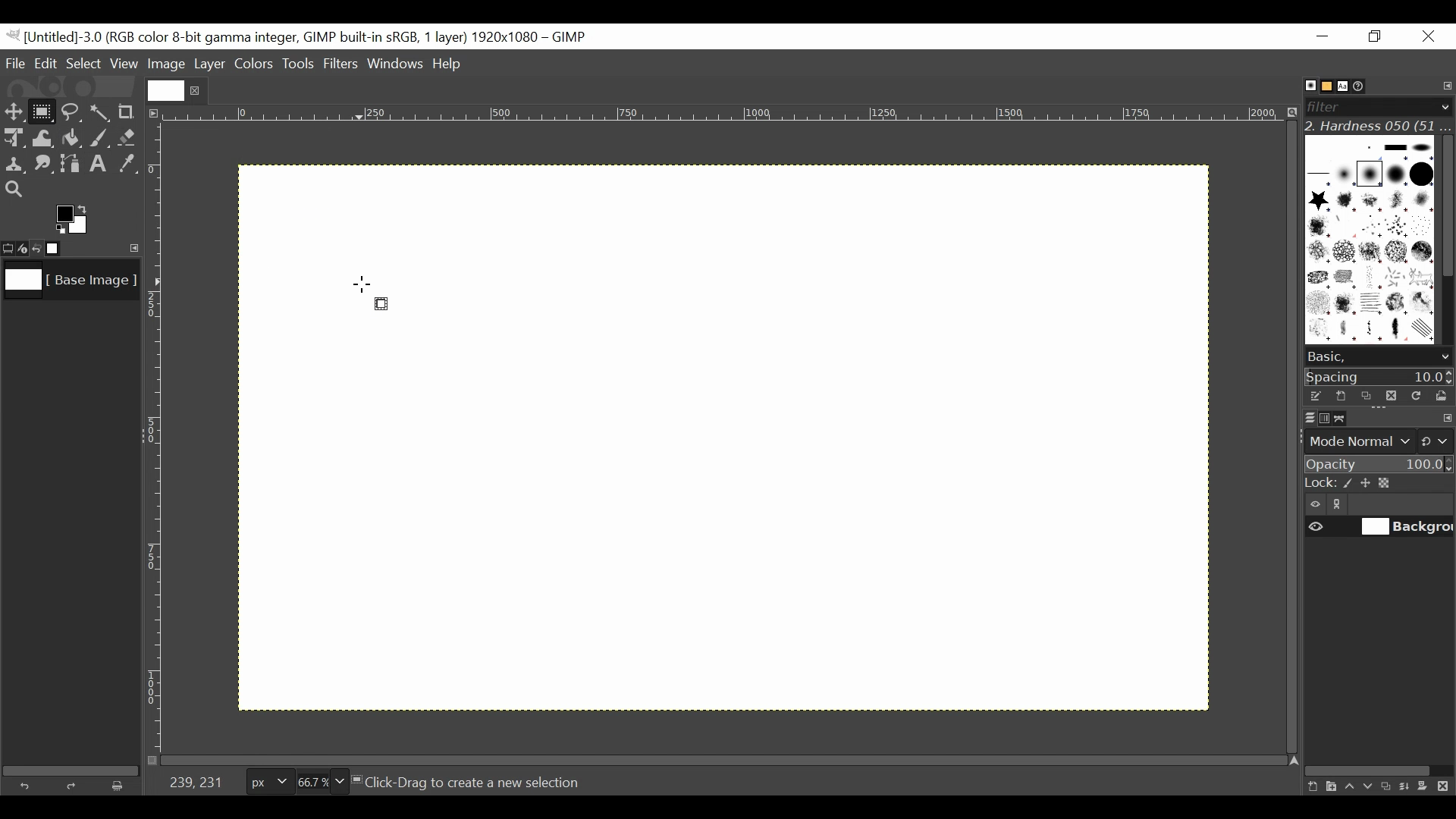 This screenshot has height=819, width=1456. What do you see at coordinates (342, 65) in the screenshot?
I see `Filters` at bounding box center [342, 65].